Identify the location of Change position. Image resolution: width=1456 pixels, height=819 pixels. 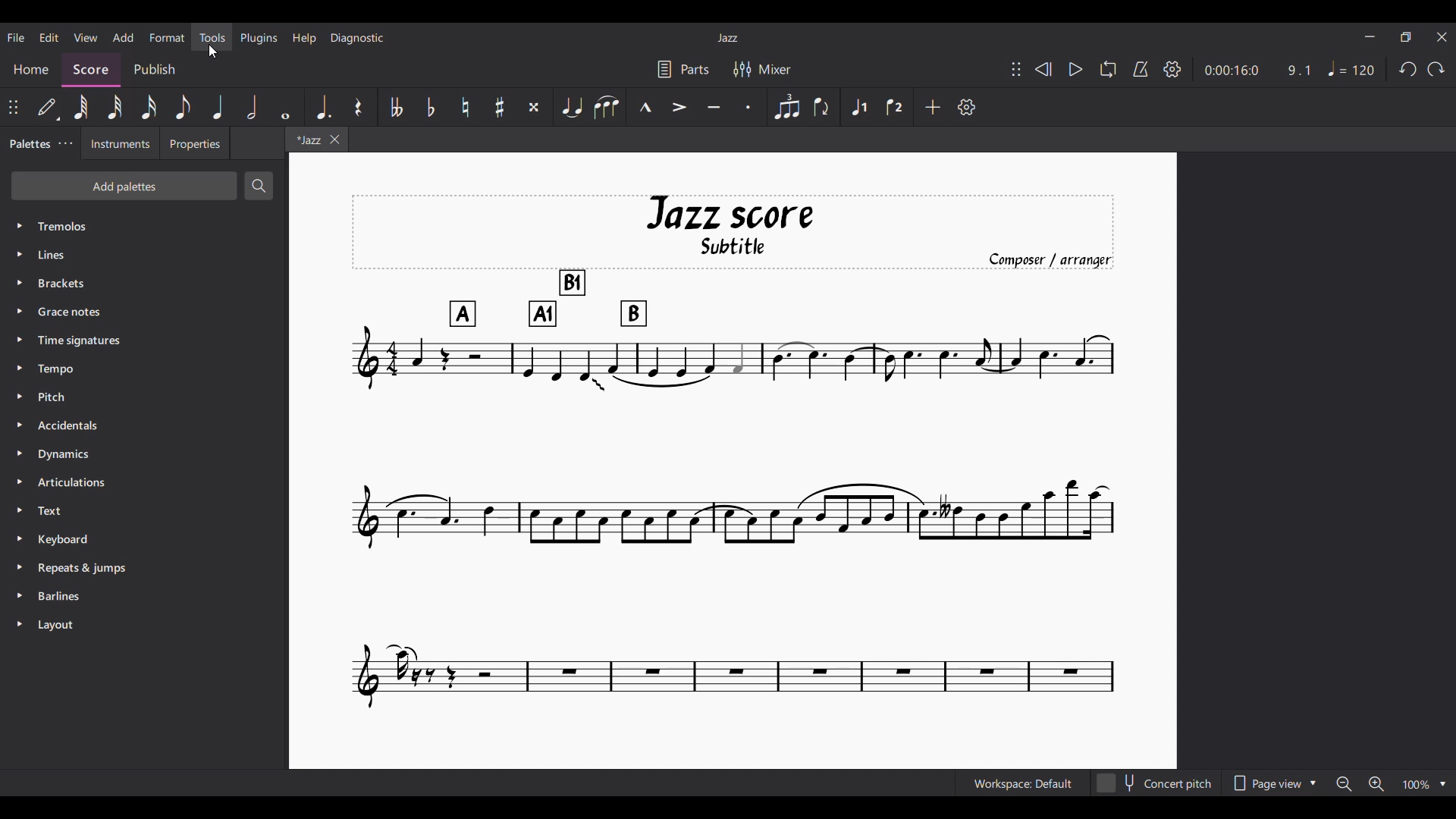
(1016, 69).